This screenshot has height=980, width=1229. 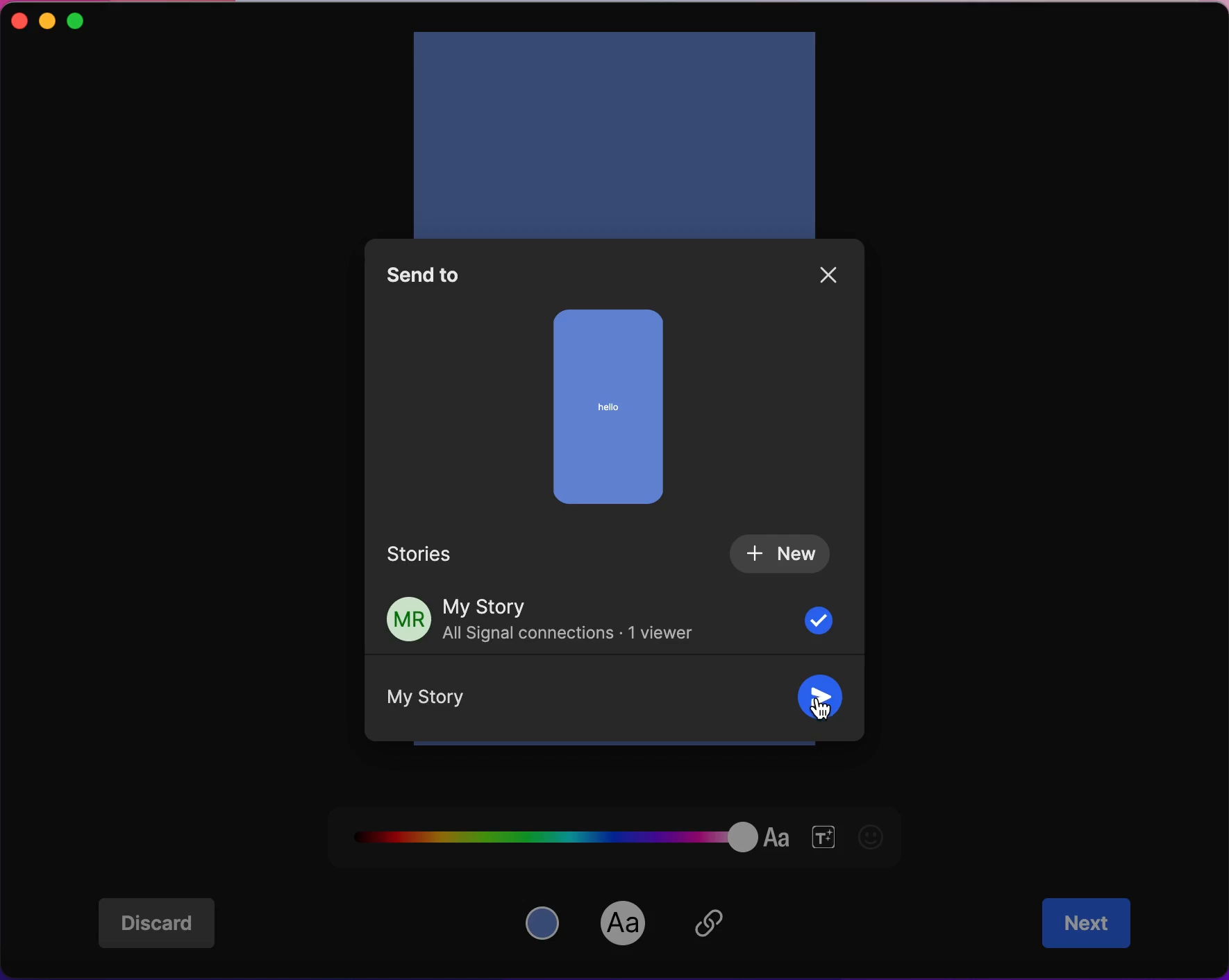 What do you see at coordinates (823, 834) in the screenshot?
I see `font size` at bounding box center [823, 834].